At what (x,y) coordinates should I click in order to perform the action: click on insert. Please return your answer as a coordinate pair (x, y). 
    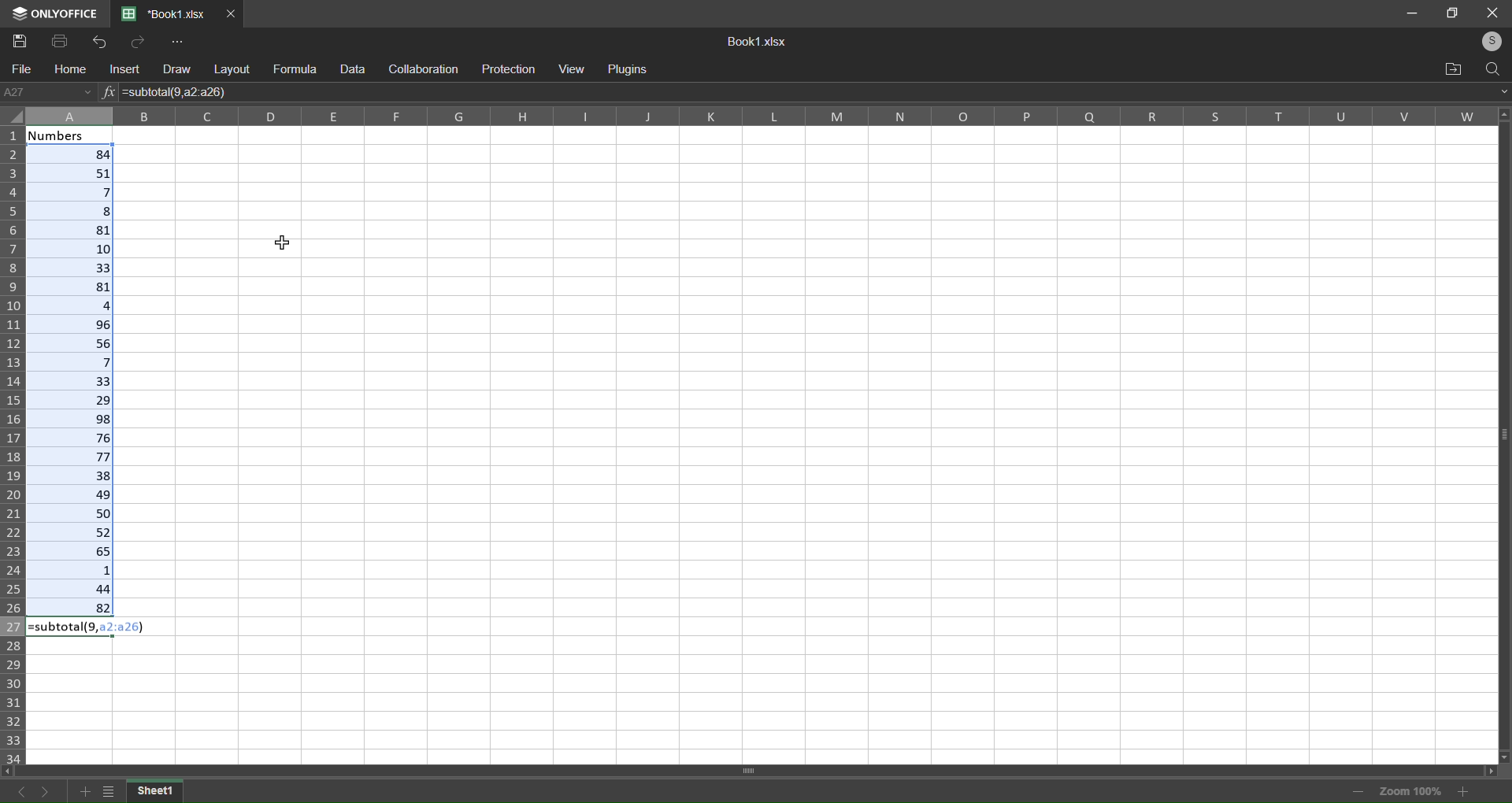
    Looking at the image, I should click on (122, 70).